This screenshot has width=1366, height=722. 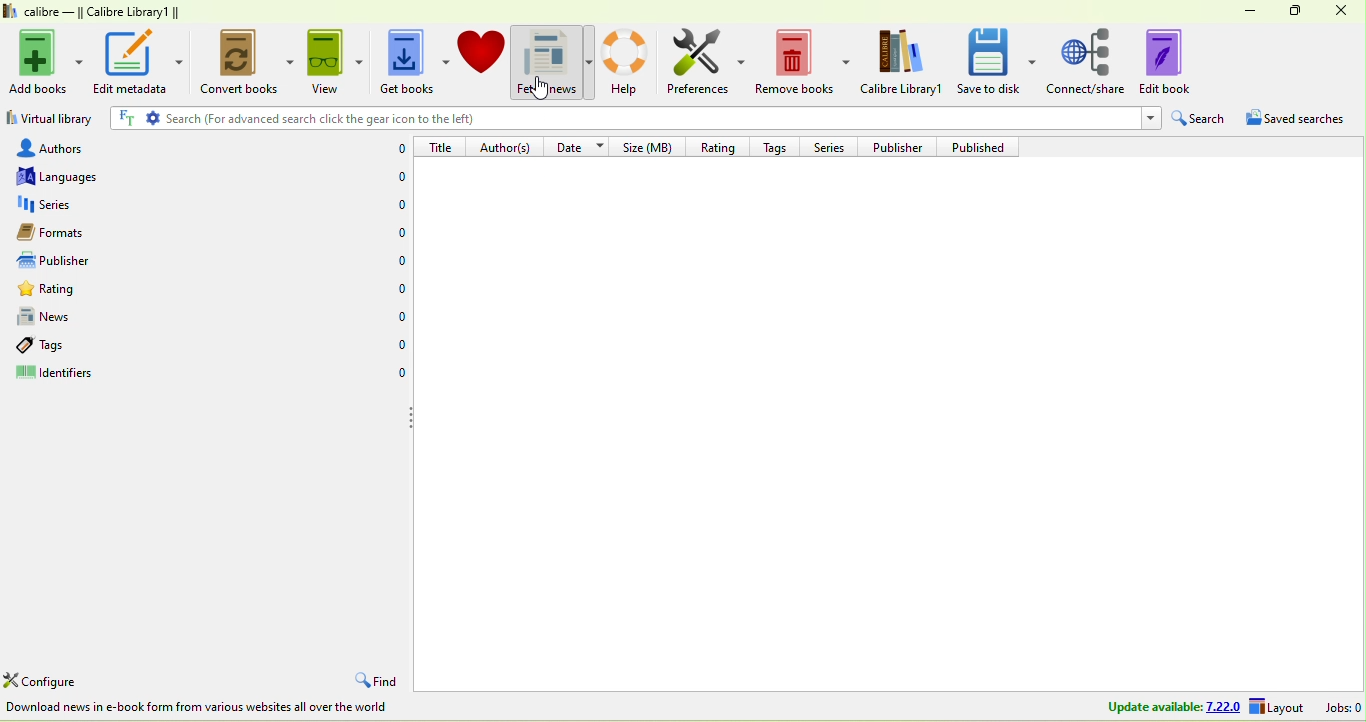 What do you see at coordinates (201, 709) in the screenshot?
I see `download news in e book from various websites all over the world` at bounding box center [201, 709].